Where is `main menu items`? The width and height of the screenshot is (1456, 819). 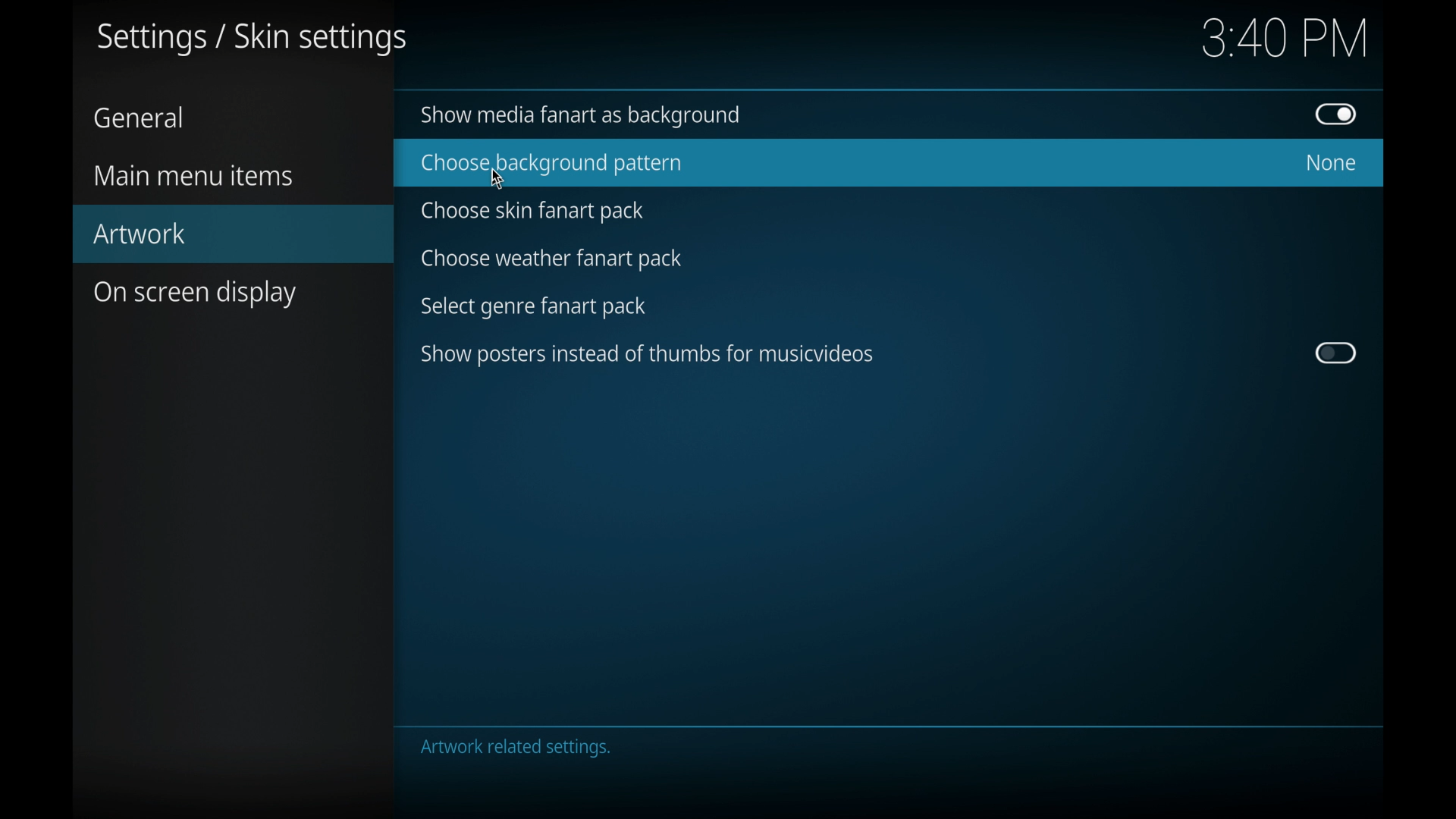 main menu items is located at coordinates (193, 177).